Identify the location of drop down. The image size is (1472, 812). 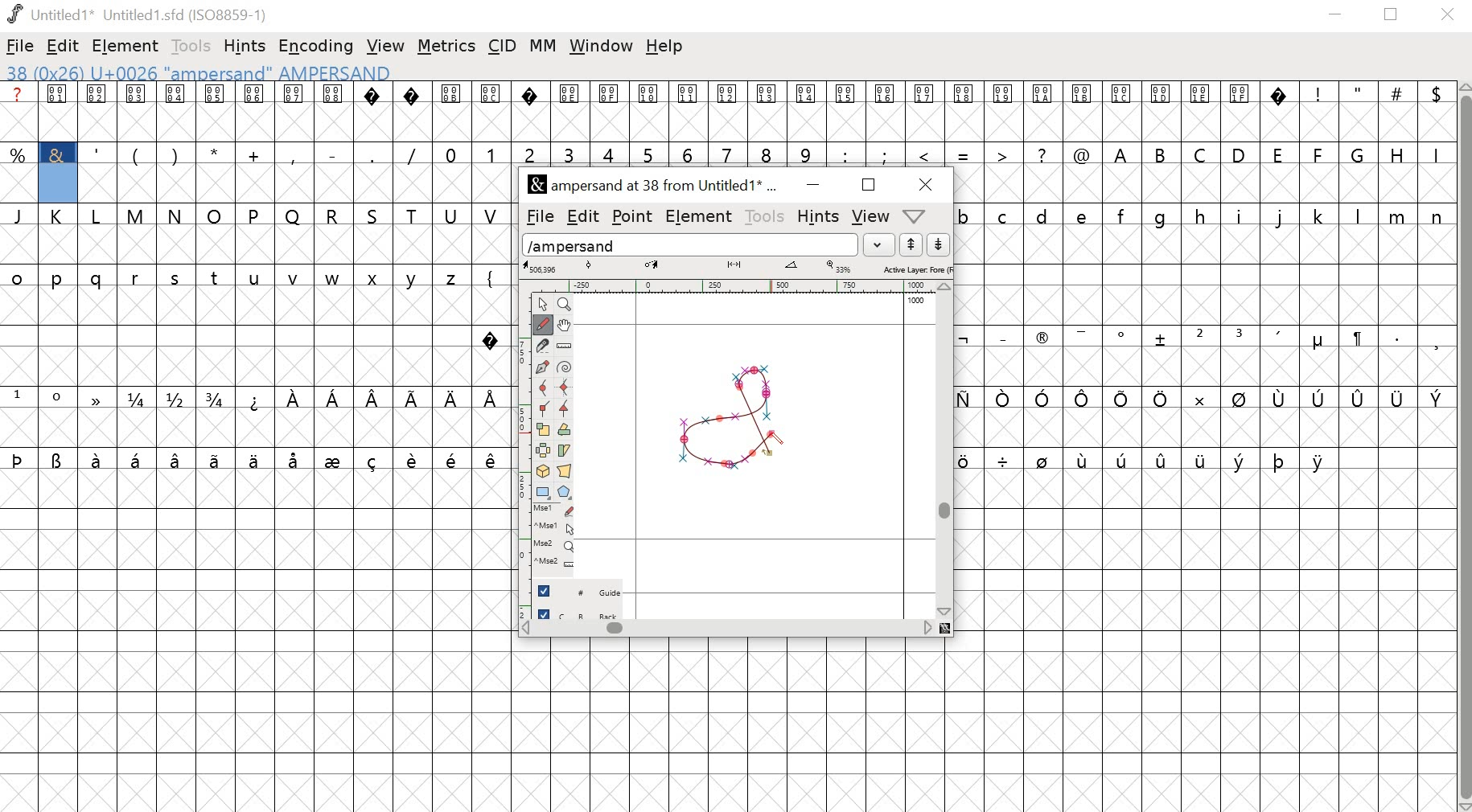
(882, 244).